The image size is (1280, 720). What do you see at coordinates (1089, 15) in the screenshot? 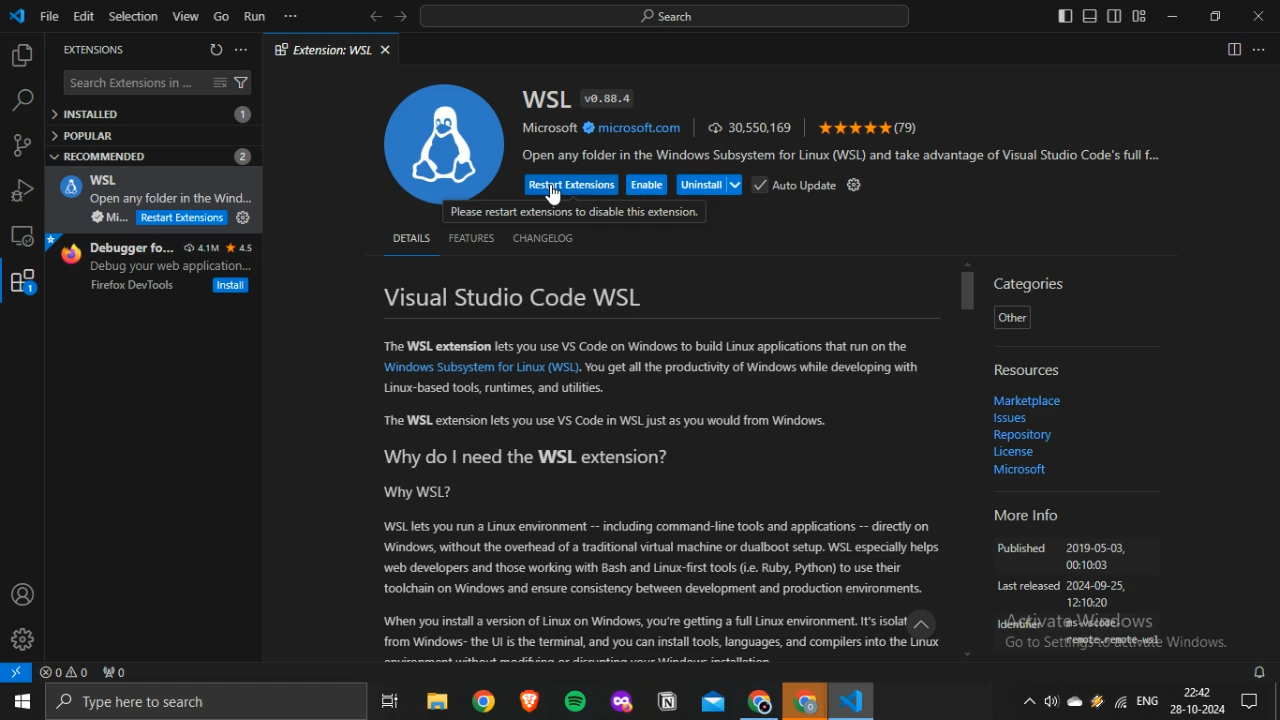
I see `toggle panel` at bounding box center [1089, 15].